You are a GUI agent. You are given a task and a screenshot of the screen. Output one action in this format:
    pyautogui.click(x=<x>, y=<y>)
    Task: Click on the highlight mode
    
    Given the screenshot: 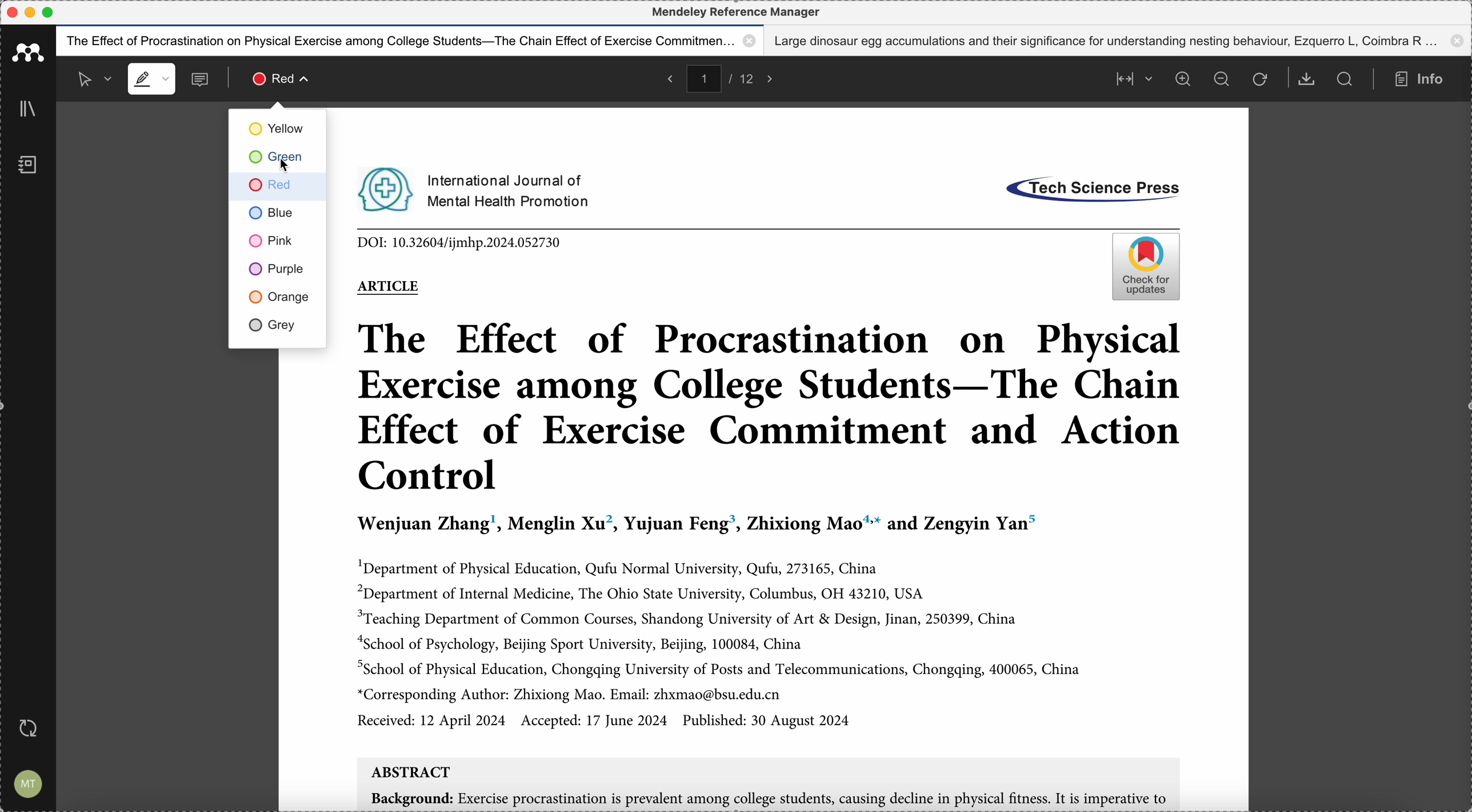 What is the action you would take?
    pyautogui.click(x=151, y=79)
    